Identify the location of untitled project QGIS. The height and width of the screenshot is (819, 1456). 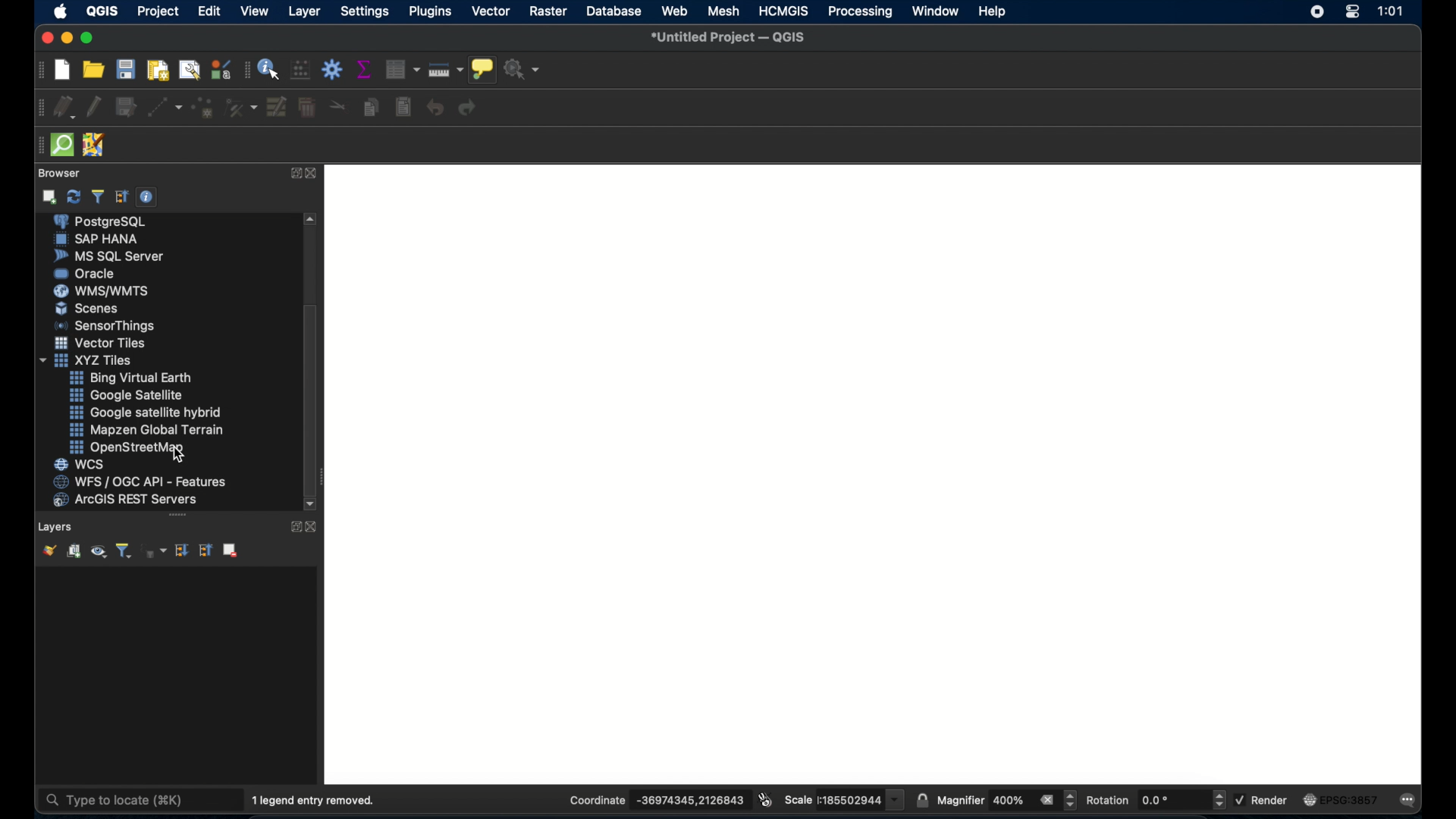
(734, 37).